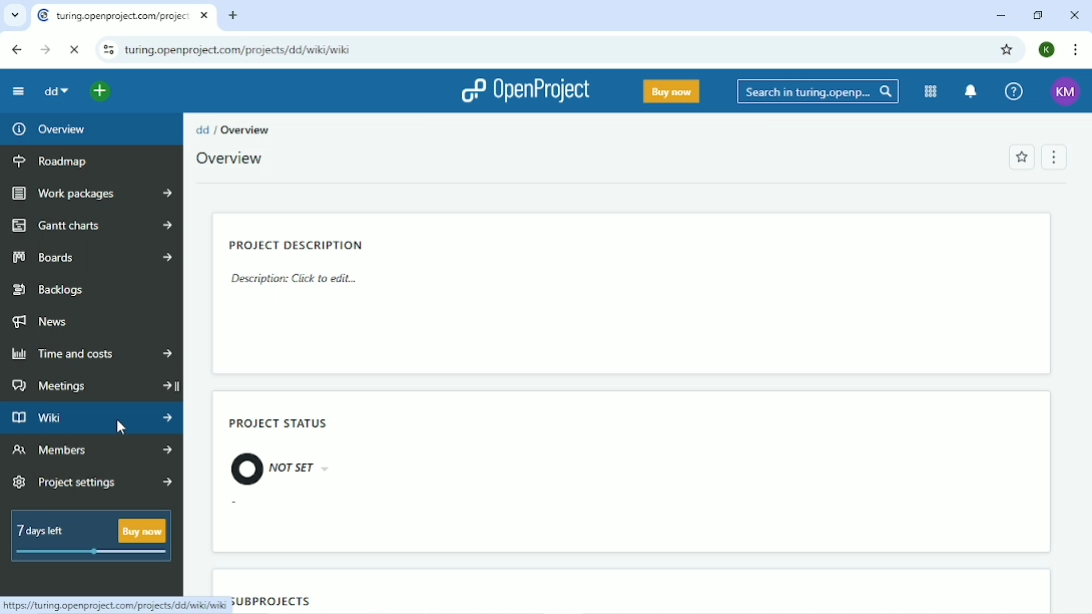  What do you see at coordinates (999, 15) in the screenshot?
I see `Minimize` at bounding box center [999, 15].